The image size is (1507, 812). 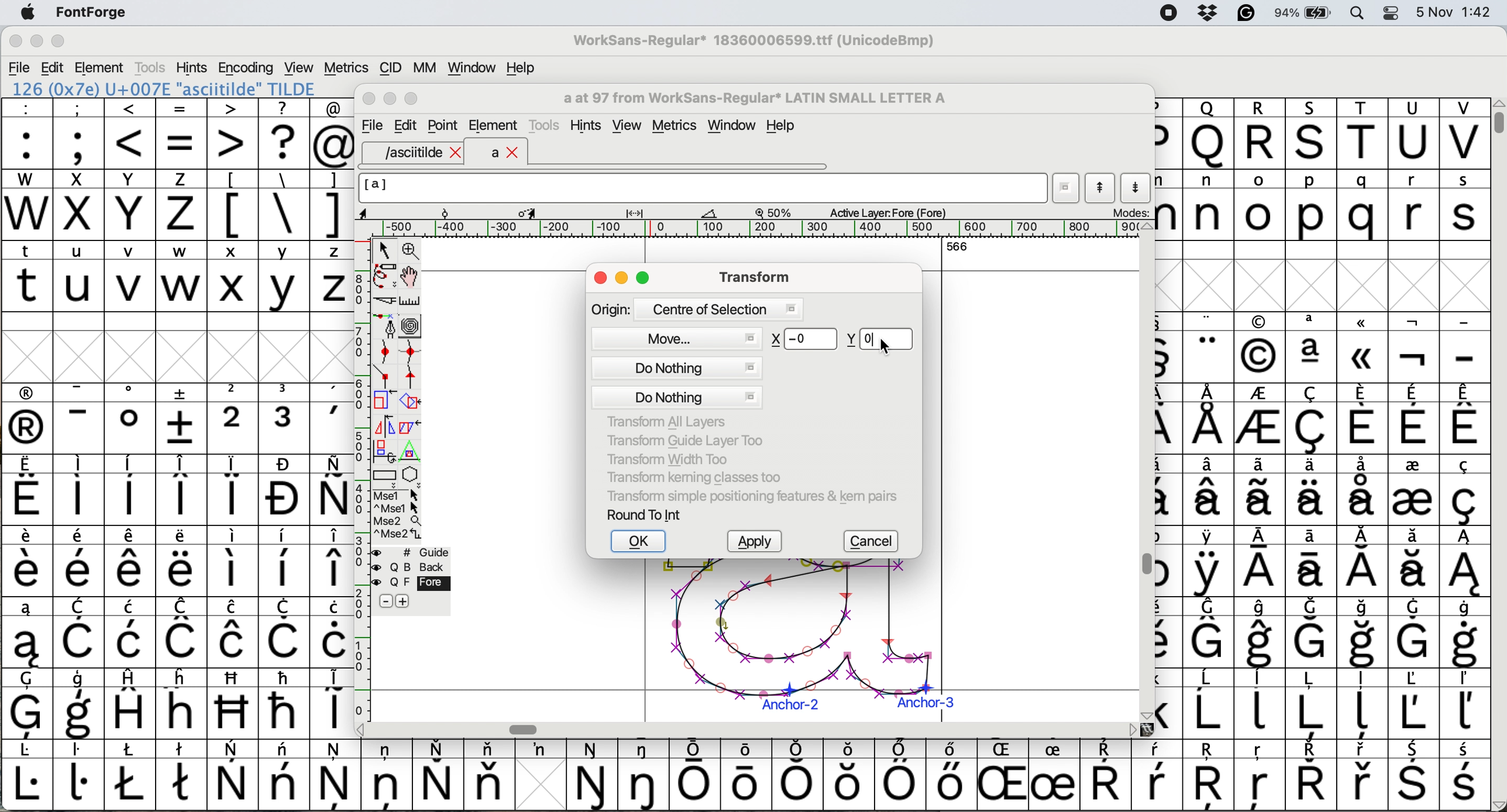 I want to click on Close, so click(x=370, y=99).